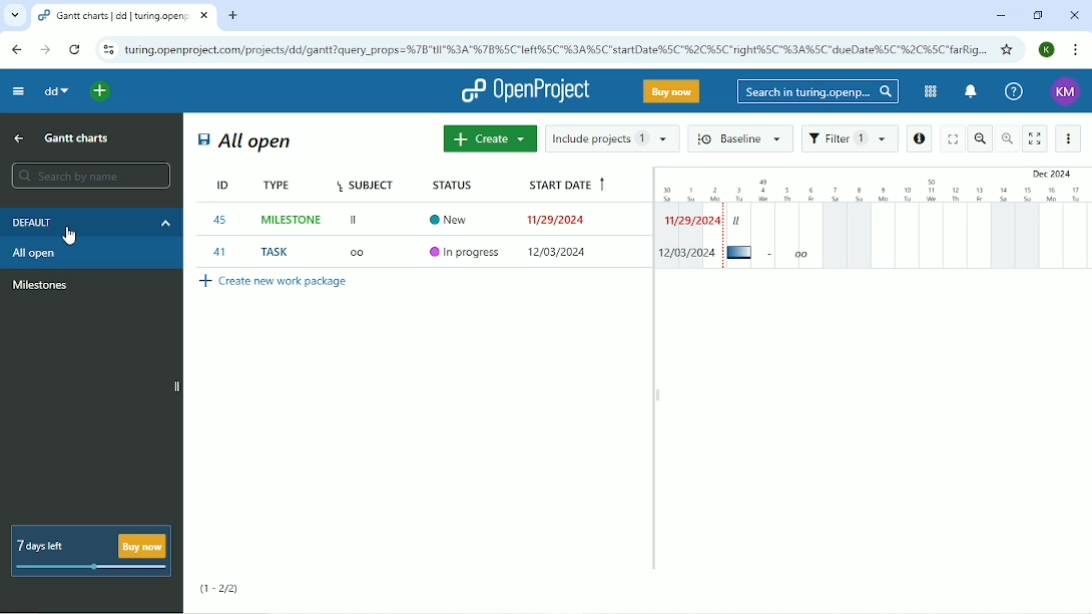  Describe the element at coordinates (1015, 91) in the screenshot. I see `Help` at that location.